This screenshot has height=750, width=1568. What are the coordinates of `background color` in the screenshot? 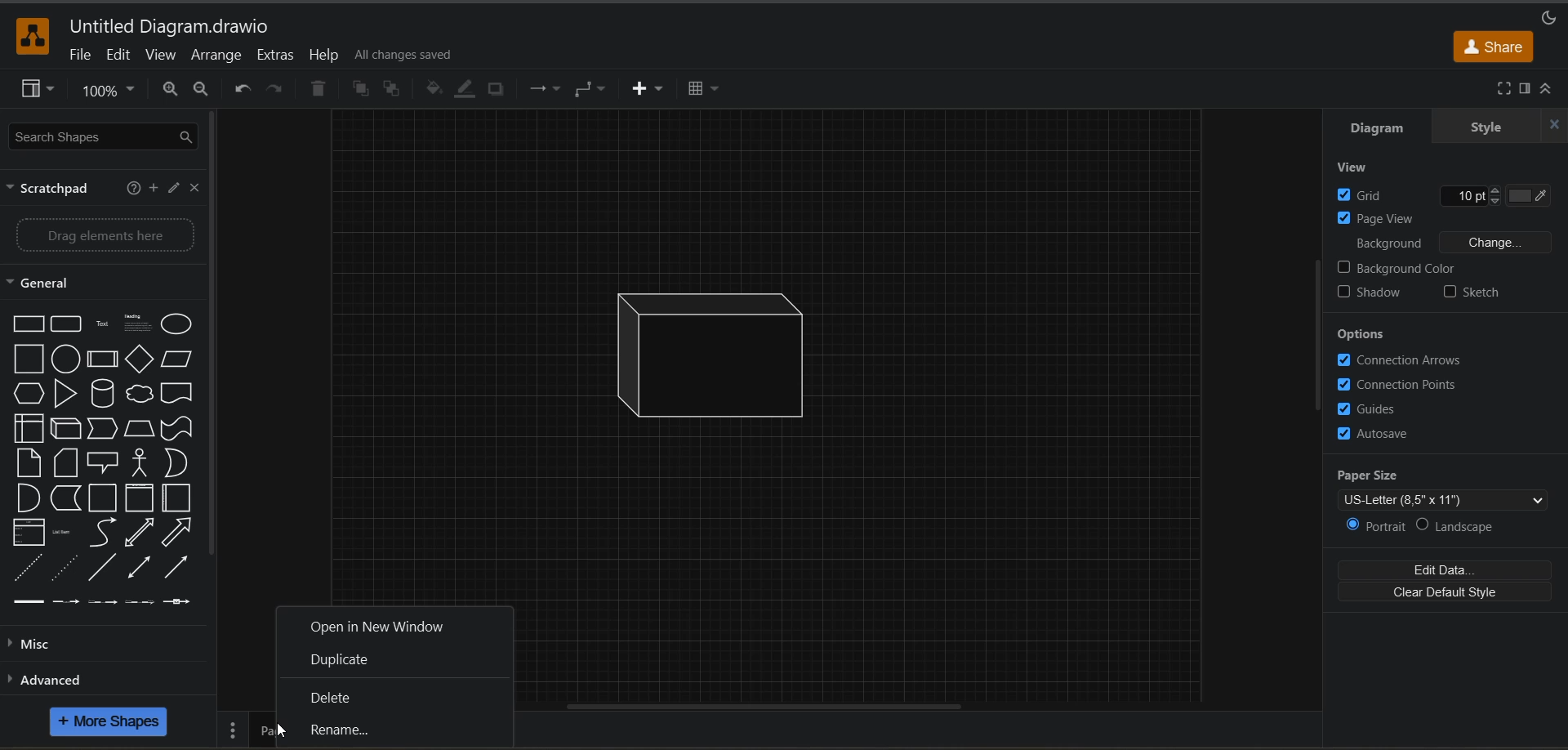 It's located at (1452, 267).